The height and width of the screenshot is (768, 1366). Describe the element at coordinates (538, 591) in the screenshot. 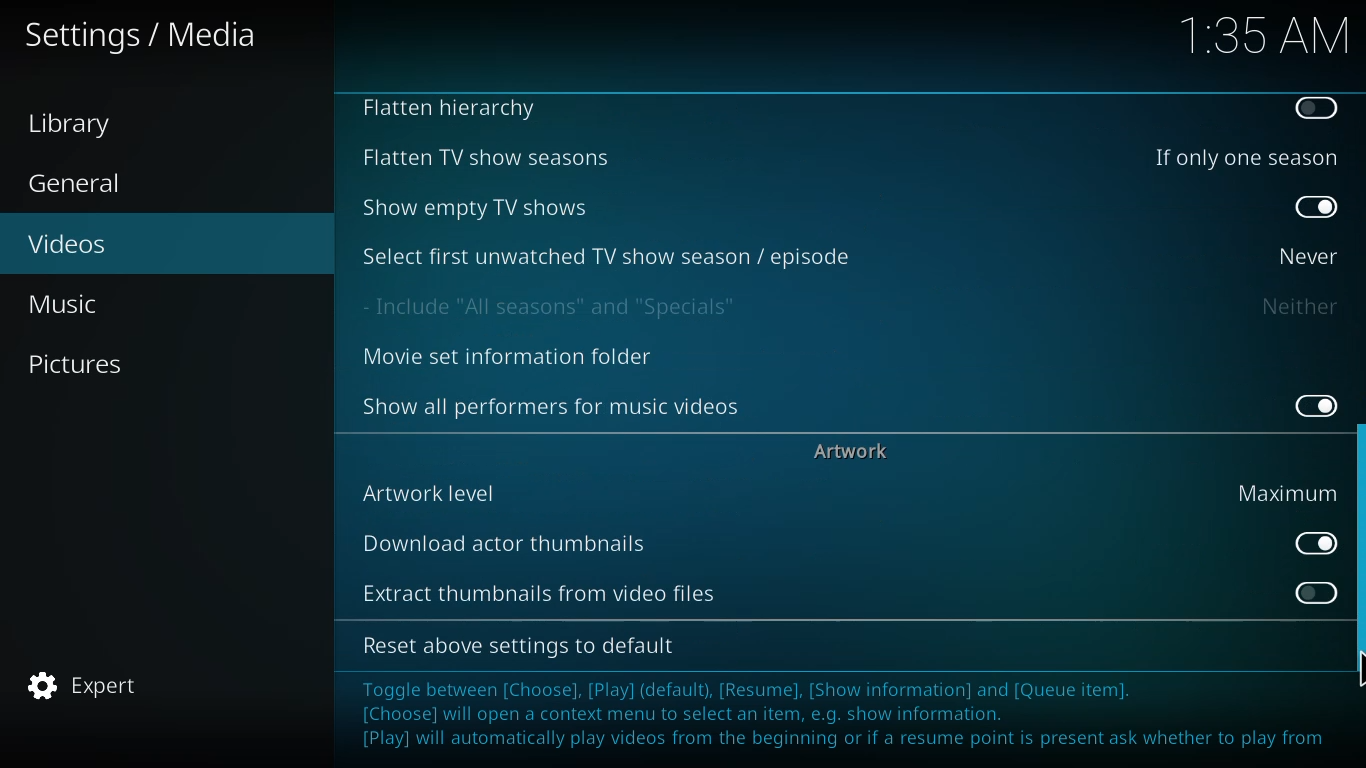

I see `extract thumbnails from video files` at that location.